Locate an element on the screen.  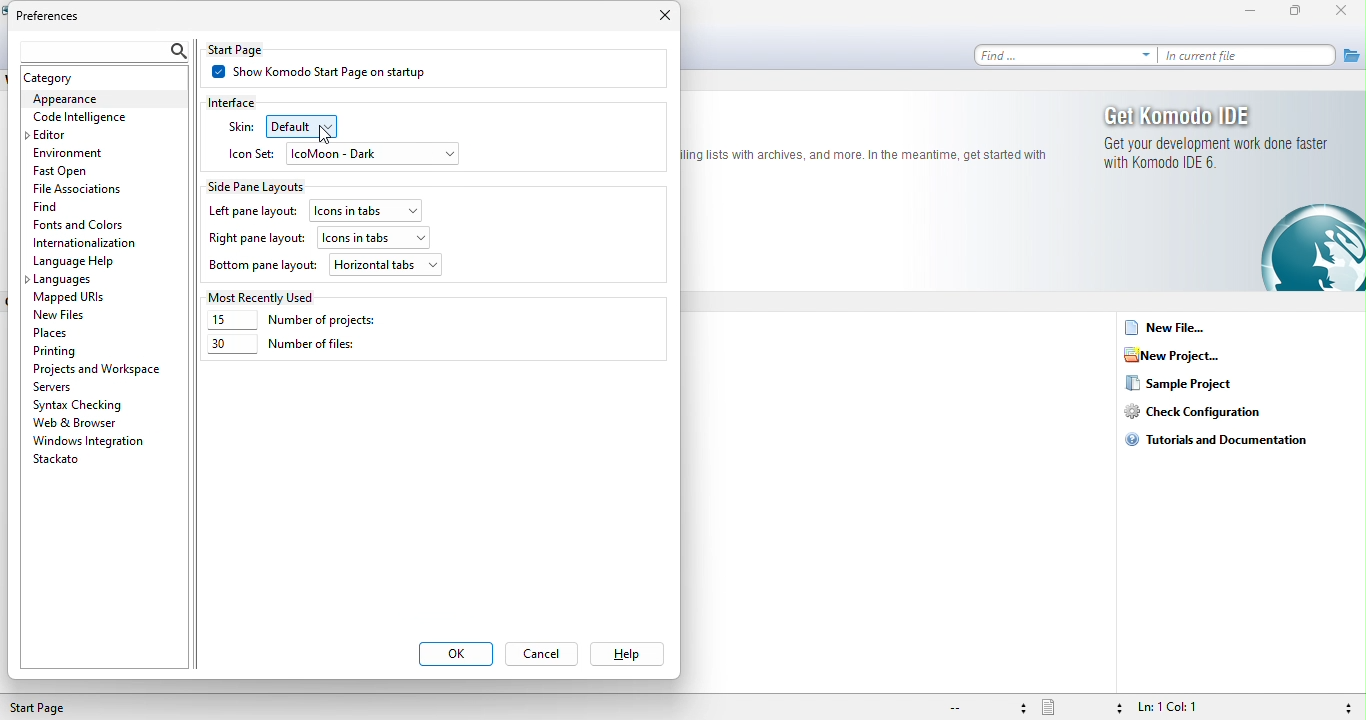
interface is located at coordinates (245, 101).